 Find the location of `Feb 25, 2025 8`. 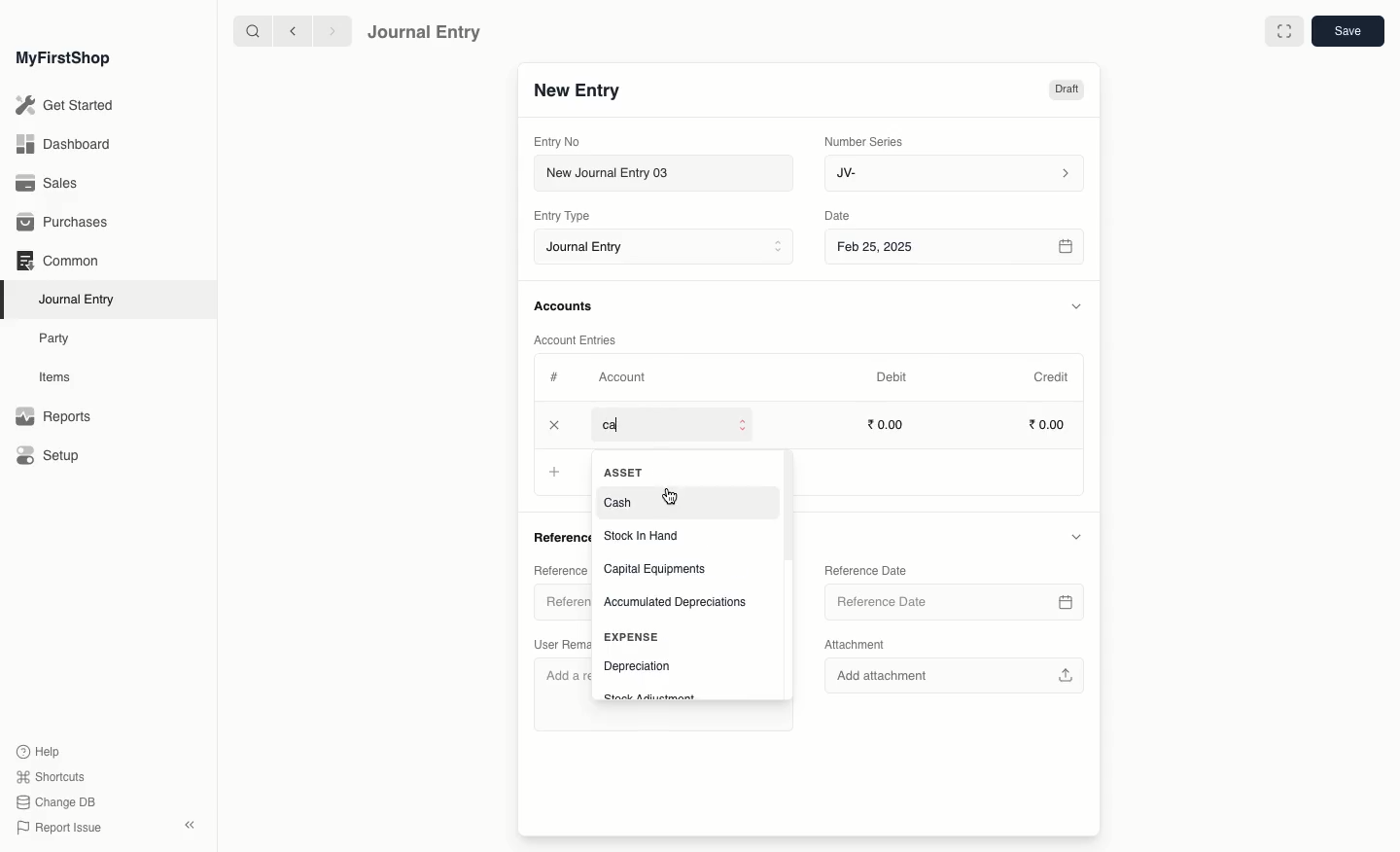

Feb 25, 2025 8 is located at coordinates (956, 246).